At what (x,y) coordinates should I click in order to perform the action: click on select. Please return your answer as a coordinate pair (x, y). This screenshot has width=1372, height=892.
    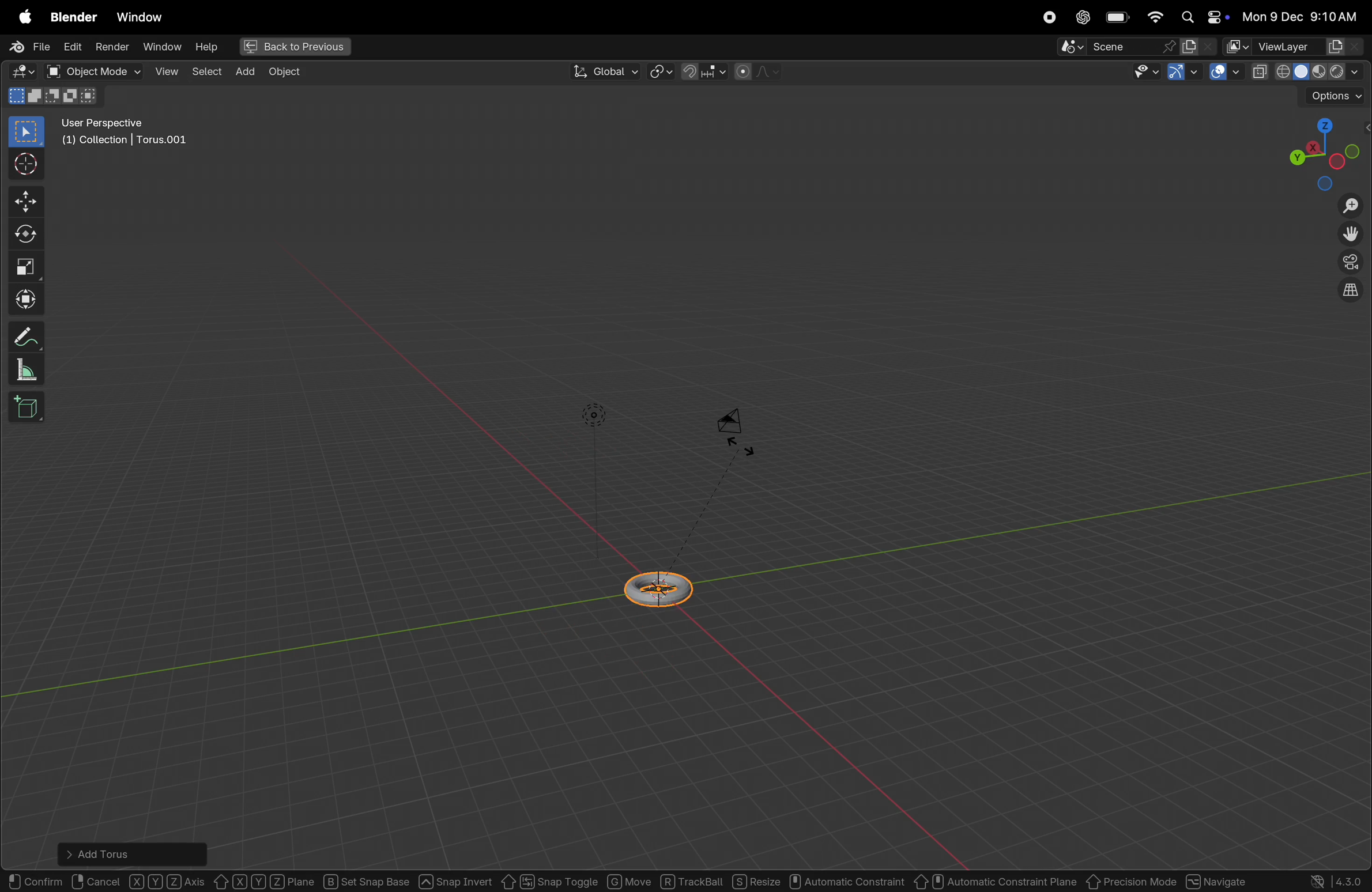
    Looking at the image, I should click on (205, 70).